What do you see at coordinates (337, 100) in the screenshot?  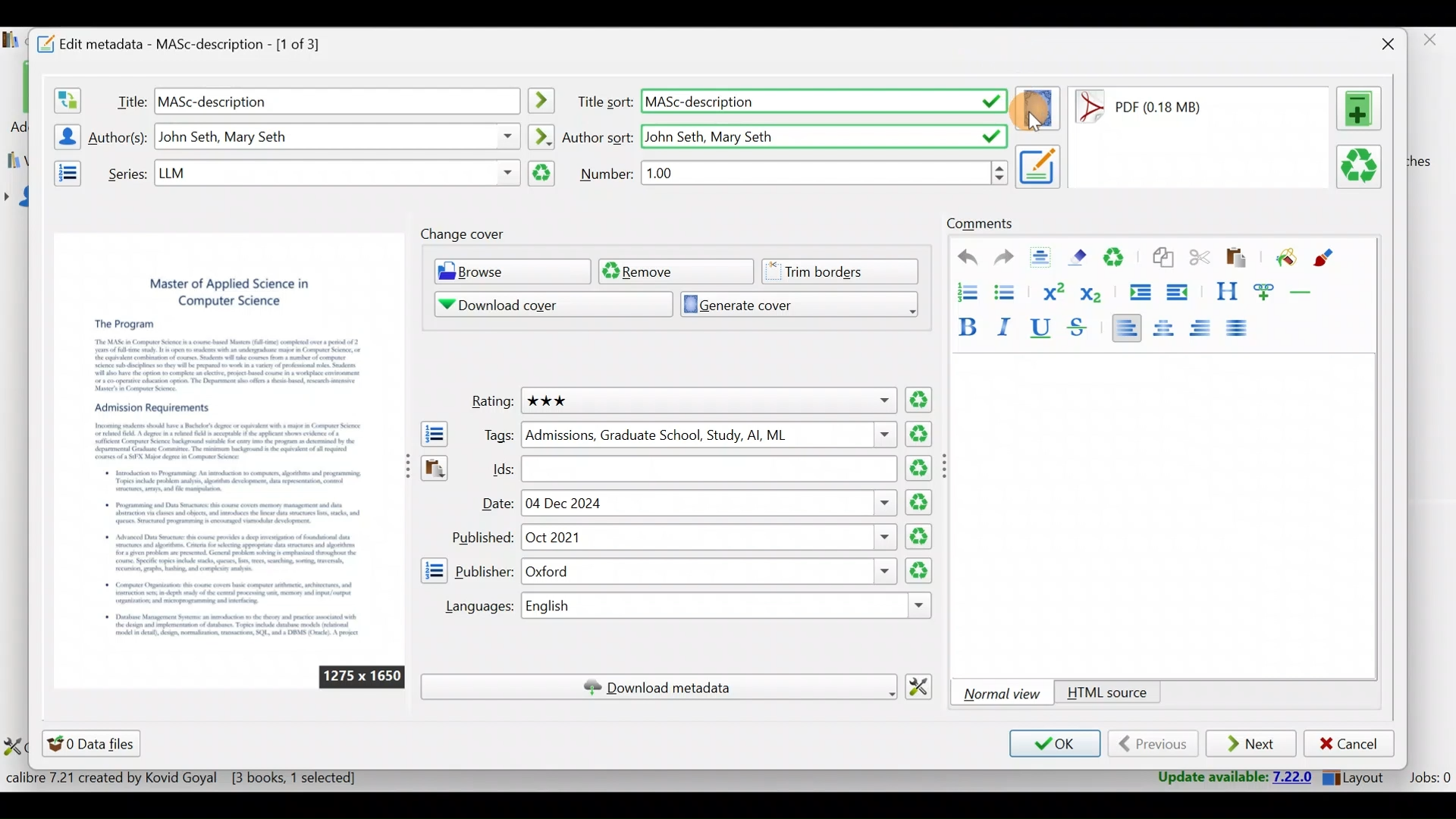 I see `` at bounding box center [337, 100].